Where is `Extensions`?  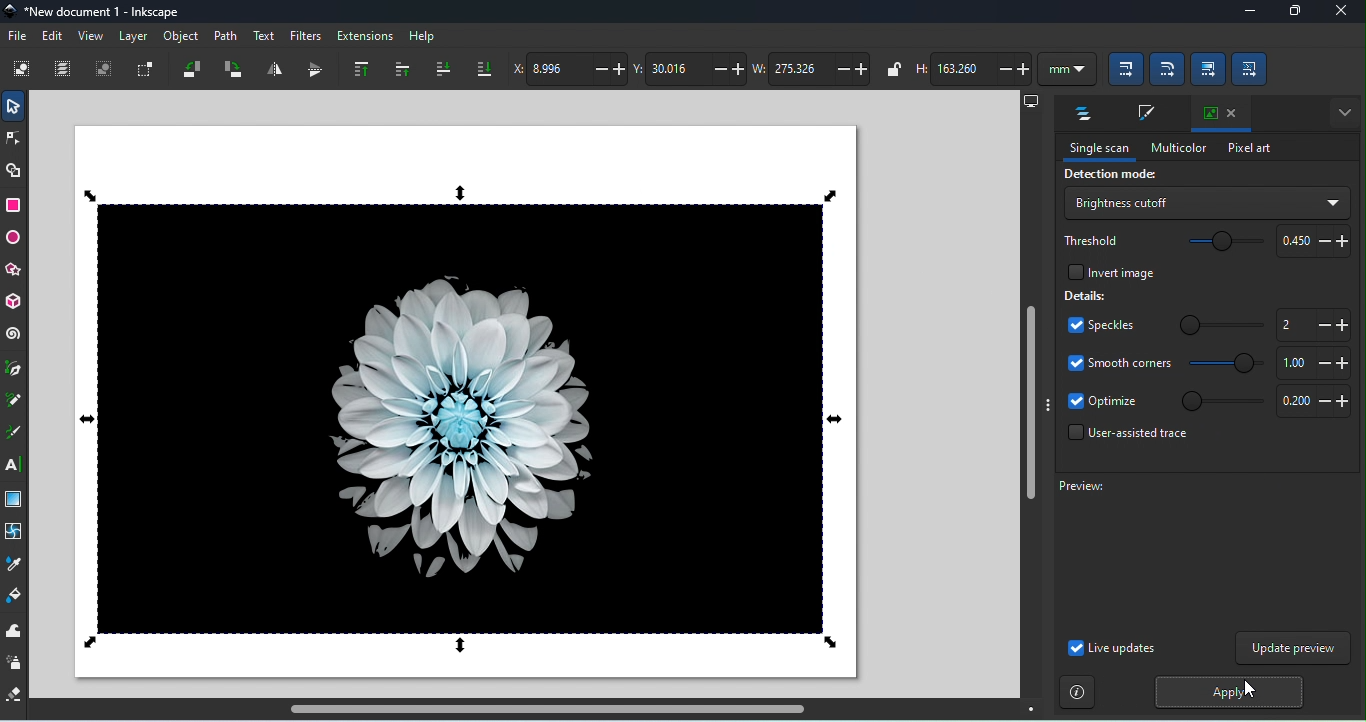 Extensions is located at coordinates (366, 34).